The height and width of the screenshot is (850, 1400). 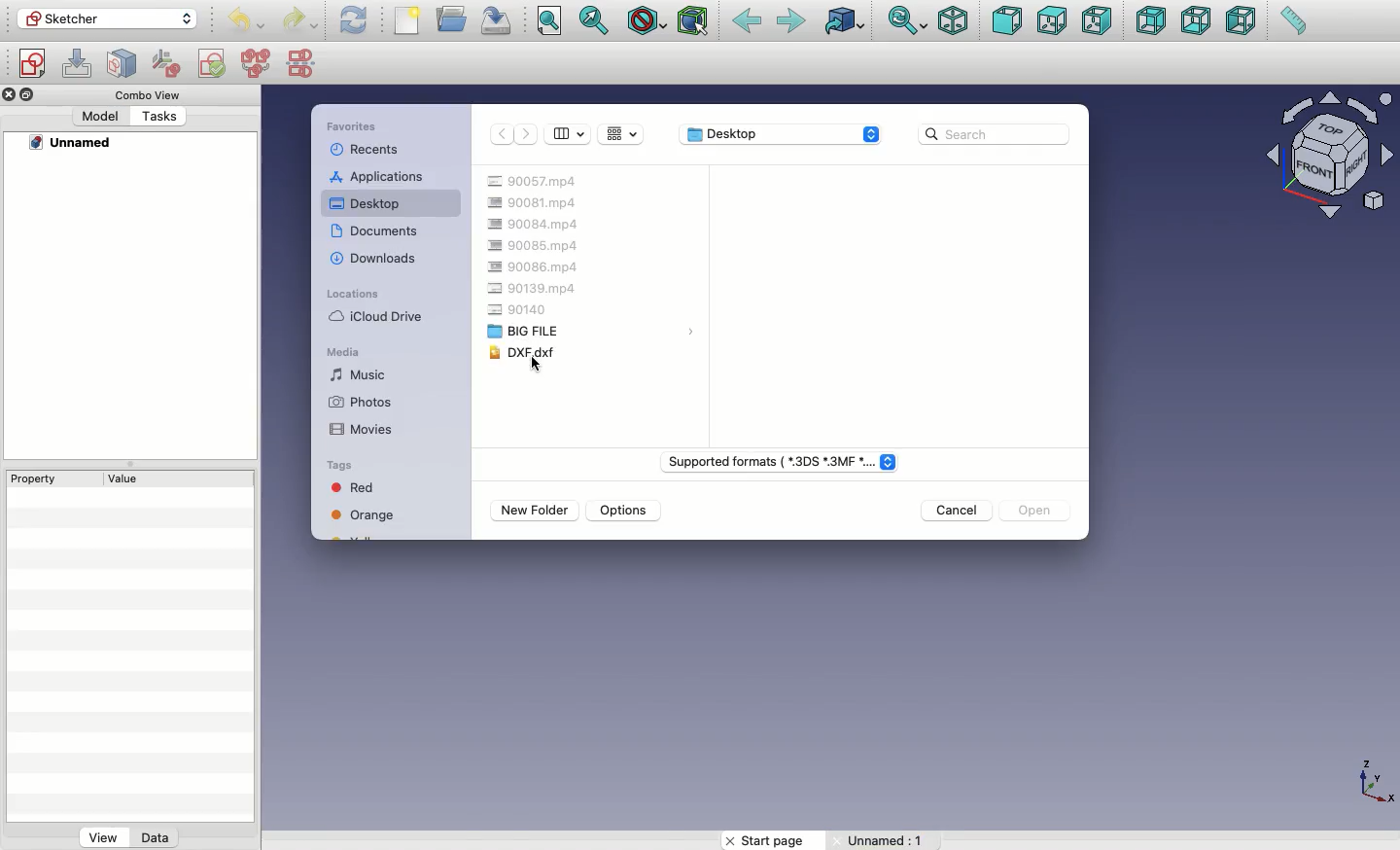 I want to click on Unnamed: 1, so click(x=888, y=840).